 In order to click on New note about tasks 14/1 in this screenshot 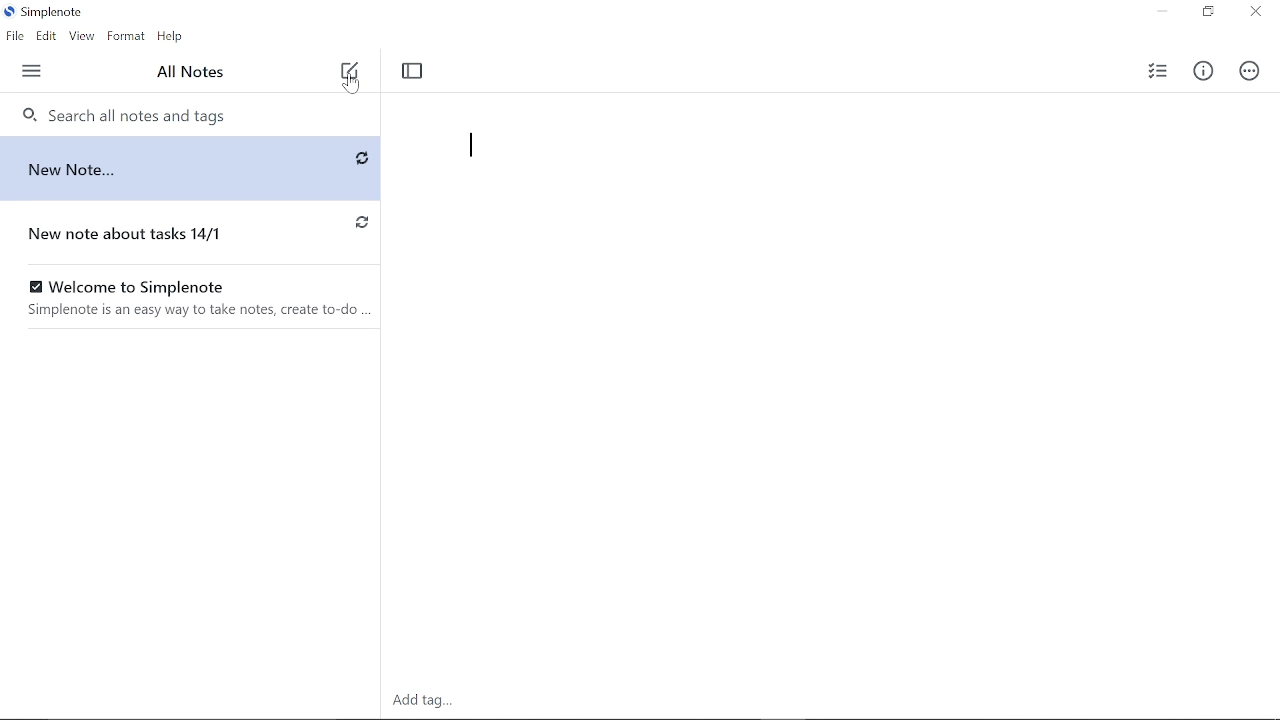, I will do `click(153, 234)`.